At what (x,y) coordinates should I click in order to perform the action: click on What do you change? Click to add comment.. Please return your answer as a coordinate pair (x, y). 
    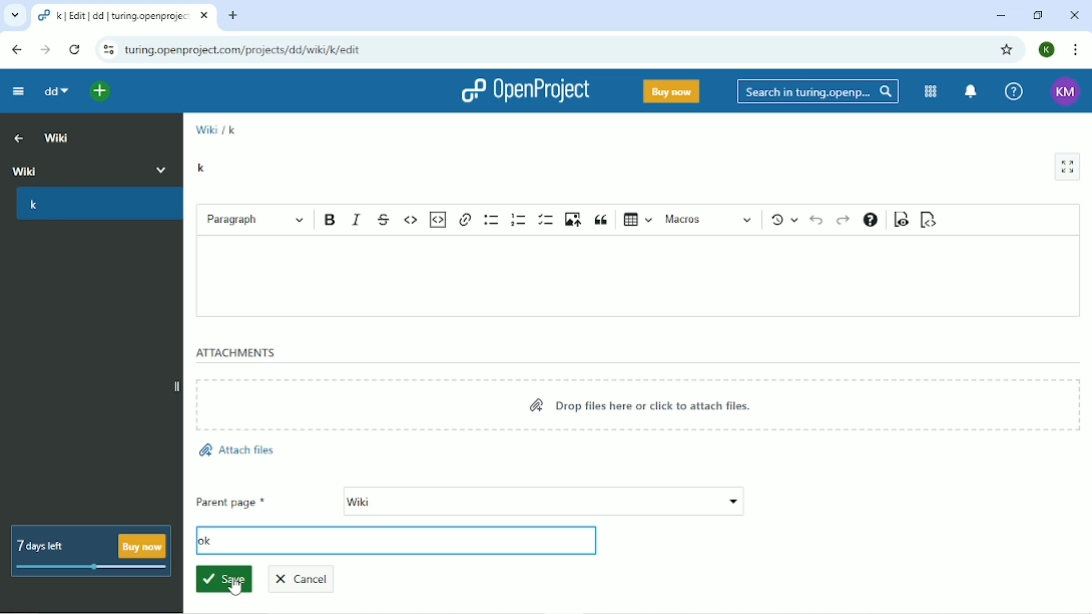
    Looking at the image, I should click on (413, 541).